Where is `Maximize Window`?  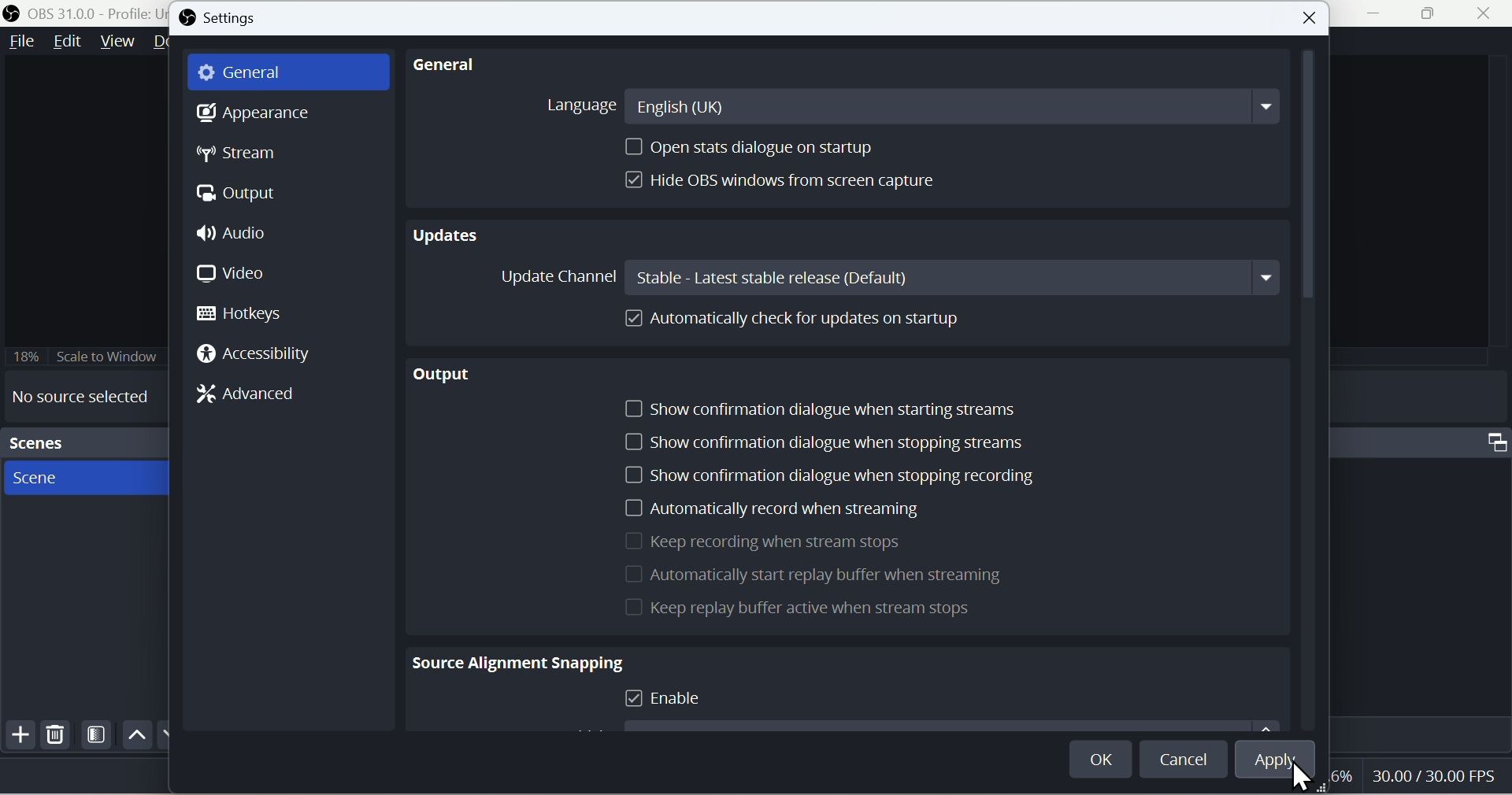 Maximize Window is located at coordinates (1492, 444).